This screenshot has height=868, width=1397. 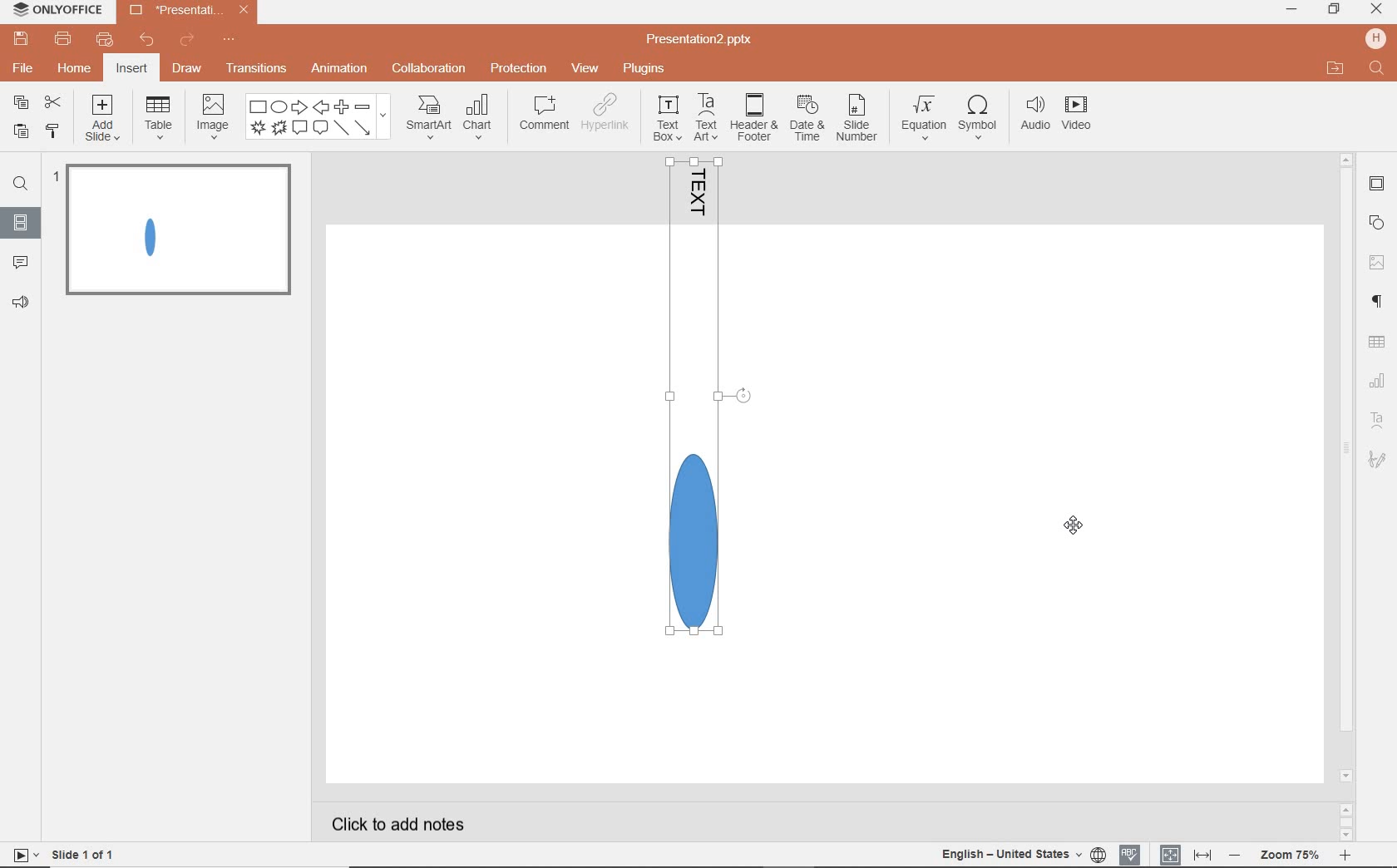 I want to click on image, so click(x=210, y=116).